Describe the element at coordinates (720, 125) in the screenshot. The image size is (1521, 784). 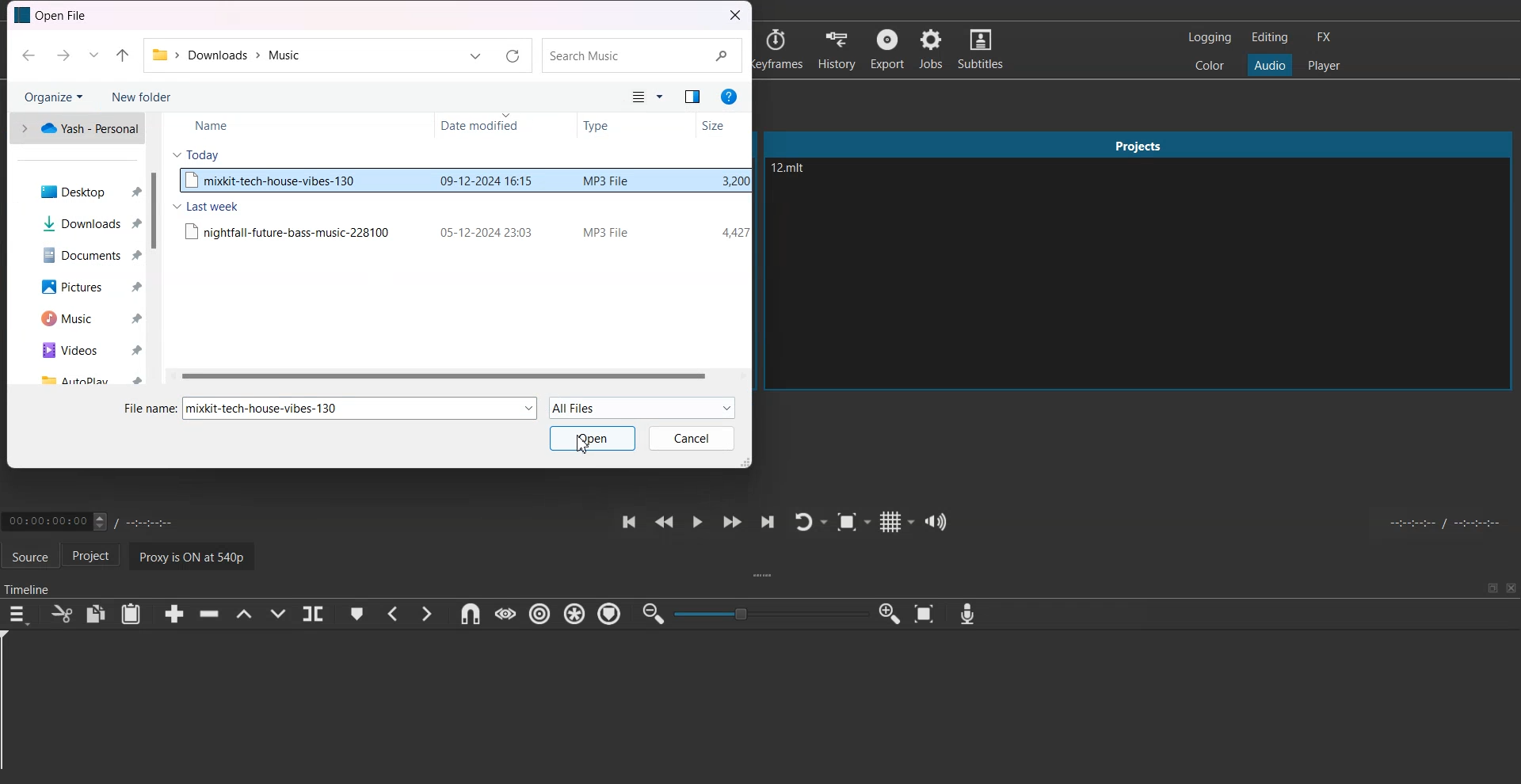
I see `Size` at that location.